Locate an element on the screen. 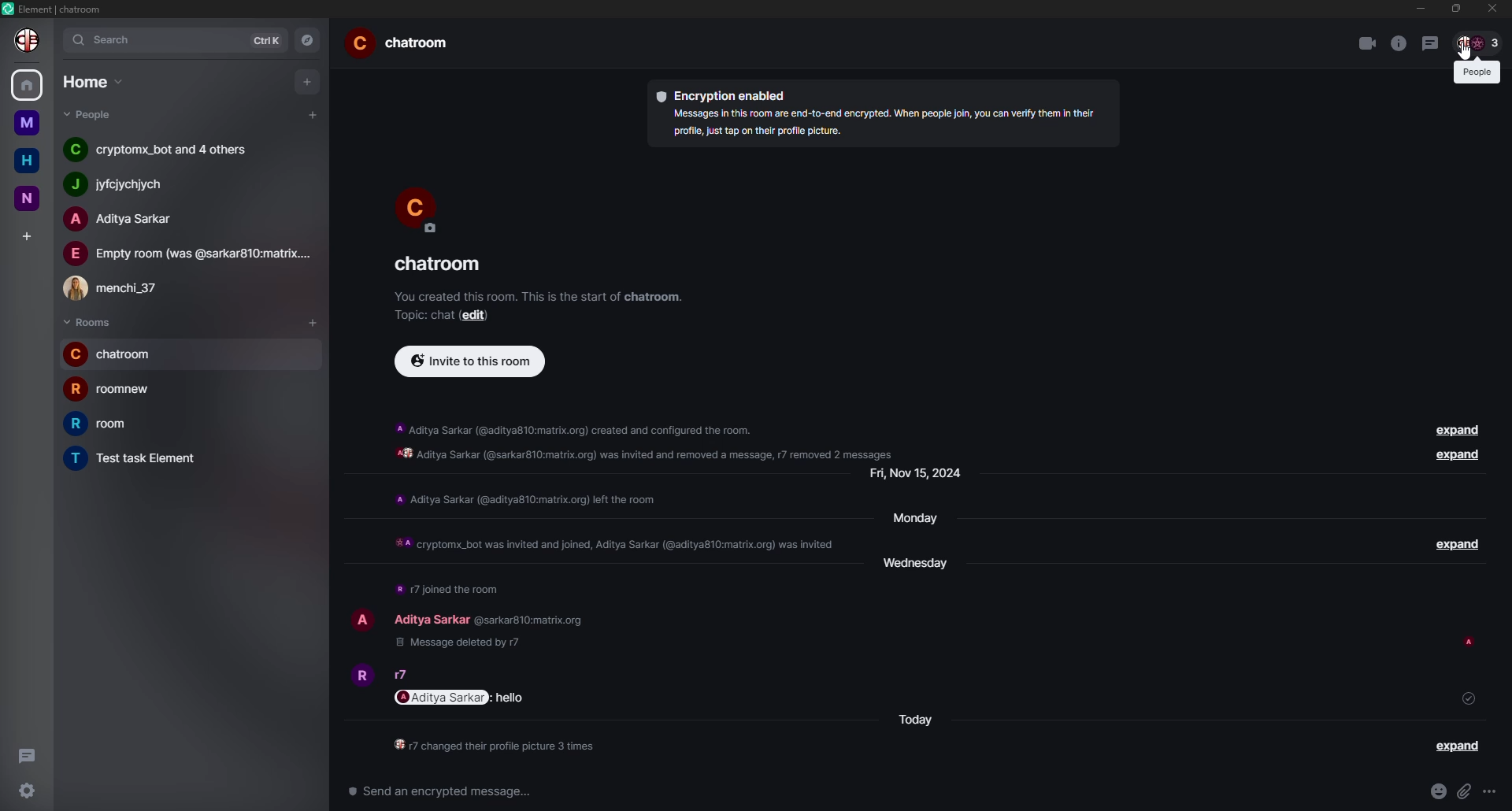  info is located at coordinates (887, 122).